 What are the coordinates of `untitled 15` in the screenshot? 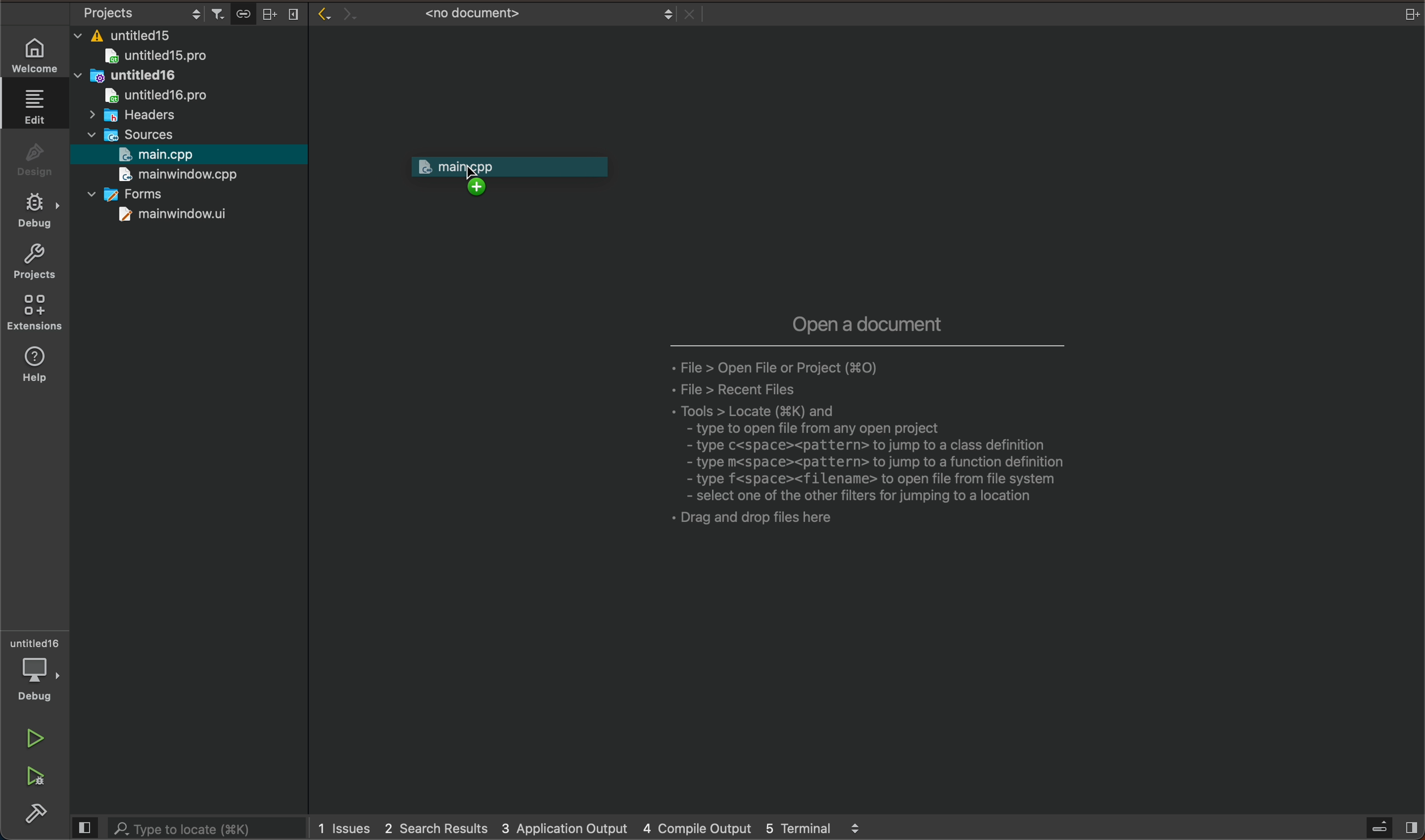 It's located at (170, 58).